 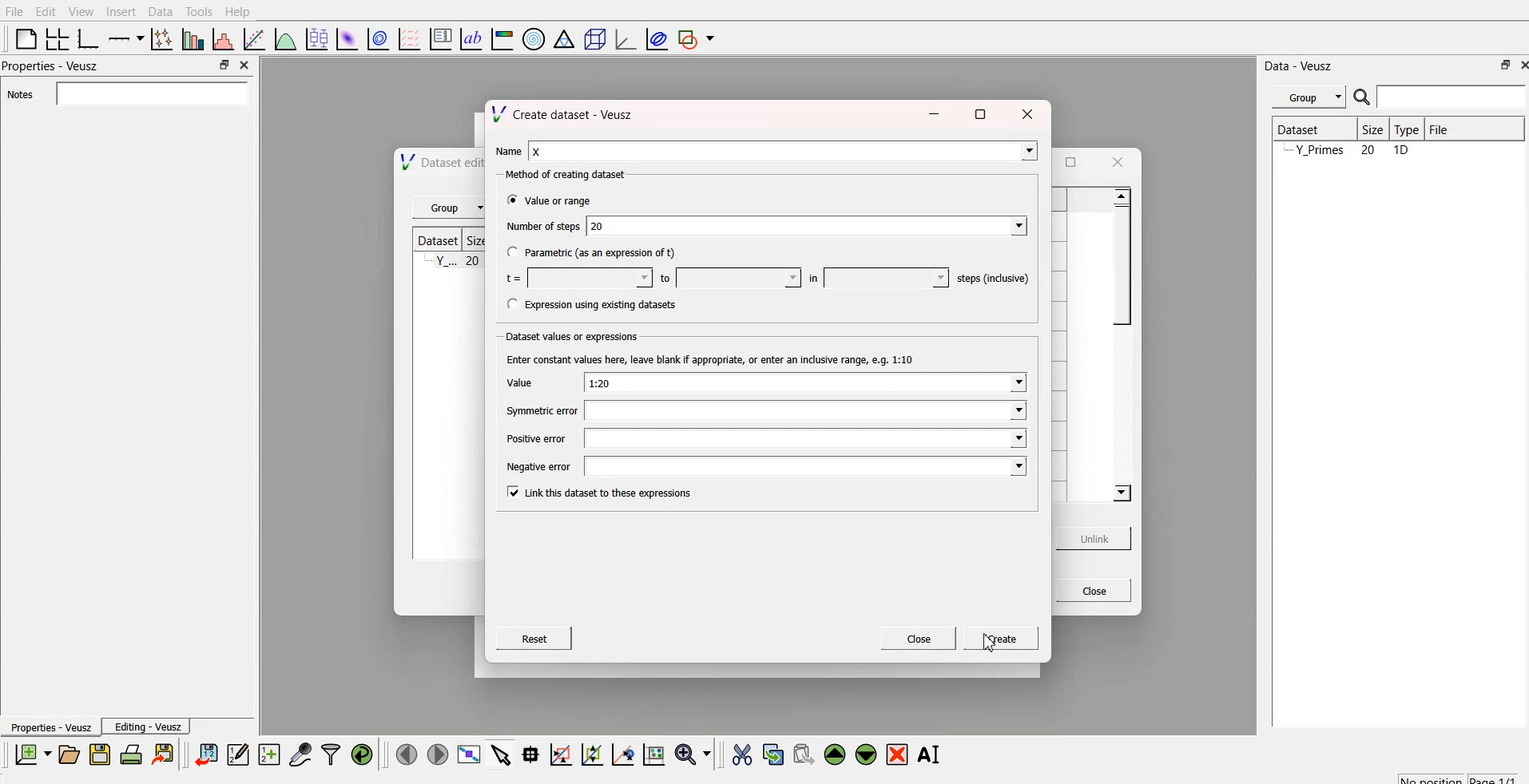 What do you see at coordinates (603, 496) in the screenshot?
I see `[Link this dataset to these expressions` at bounding box center [603, 496].